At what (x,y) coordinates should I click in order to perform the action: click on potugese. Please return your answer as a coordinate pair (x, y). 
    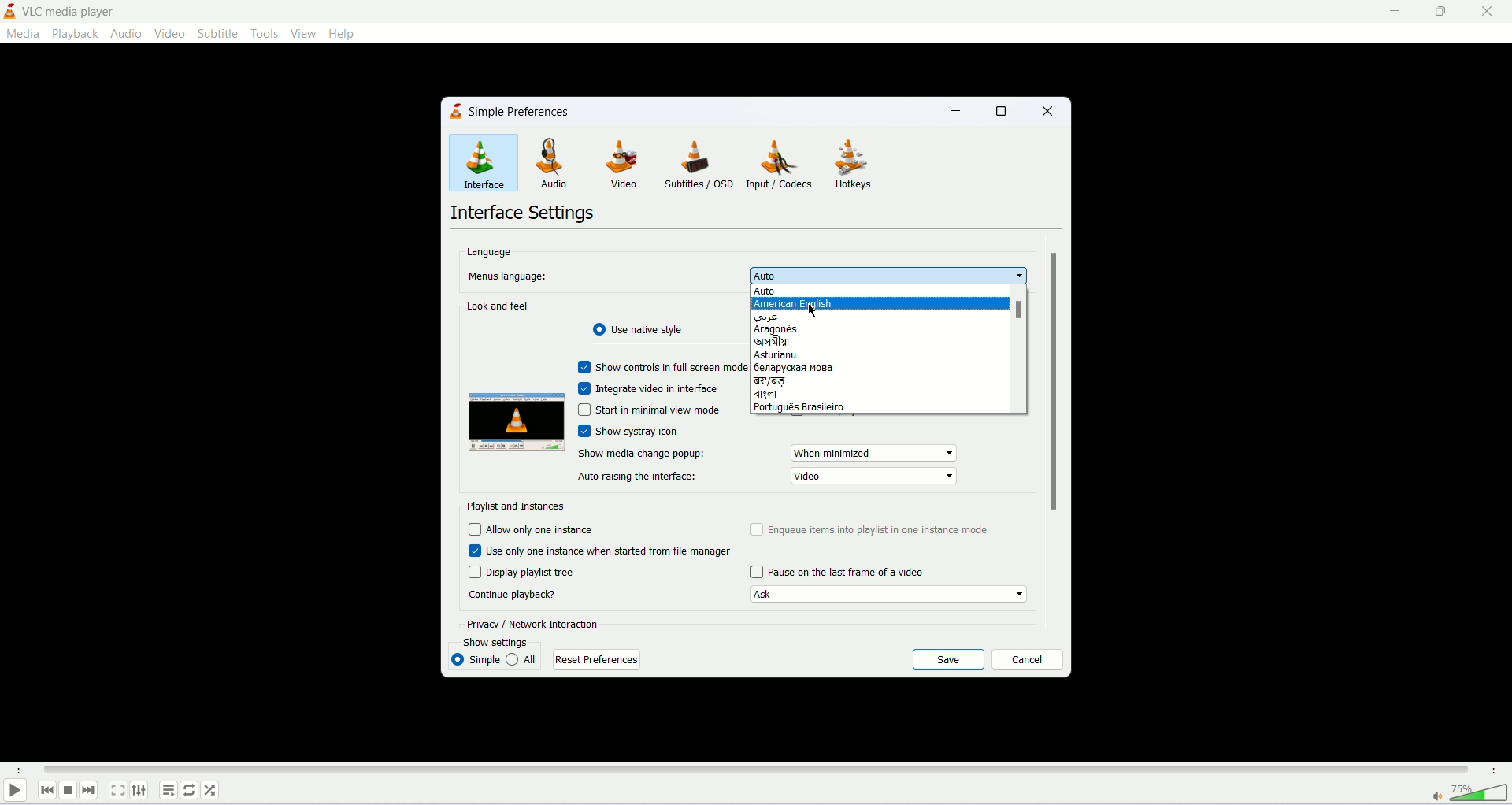
    Looking at the image, I should click on (802, 408).